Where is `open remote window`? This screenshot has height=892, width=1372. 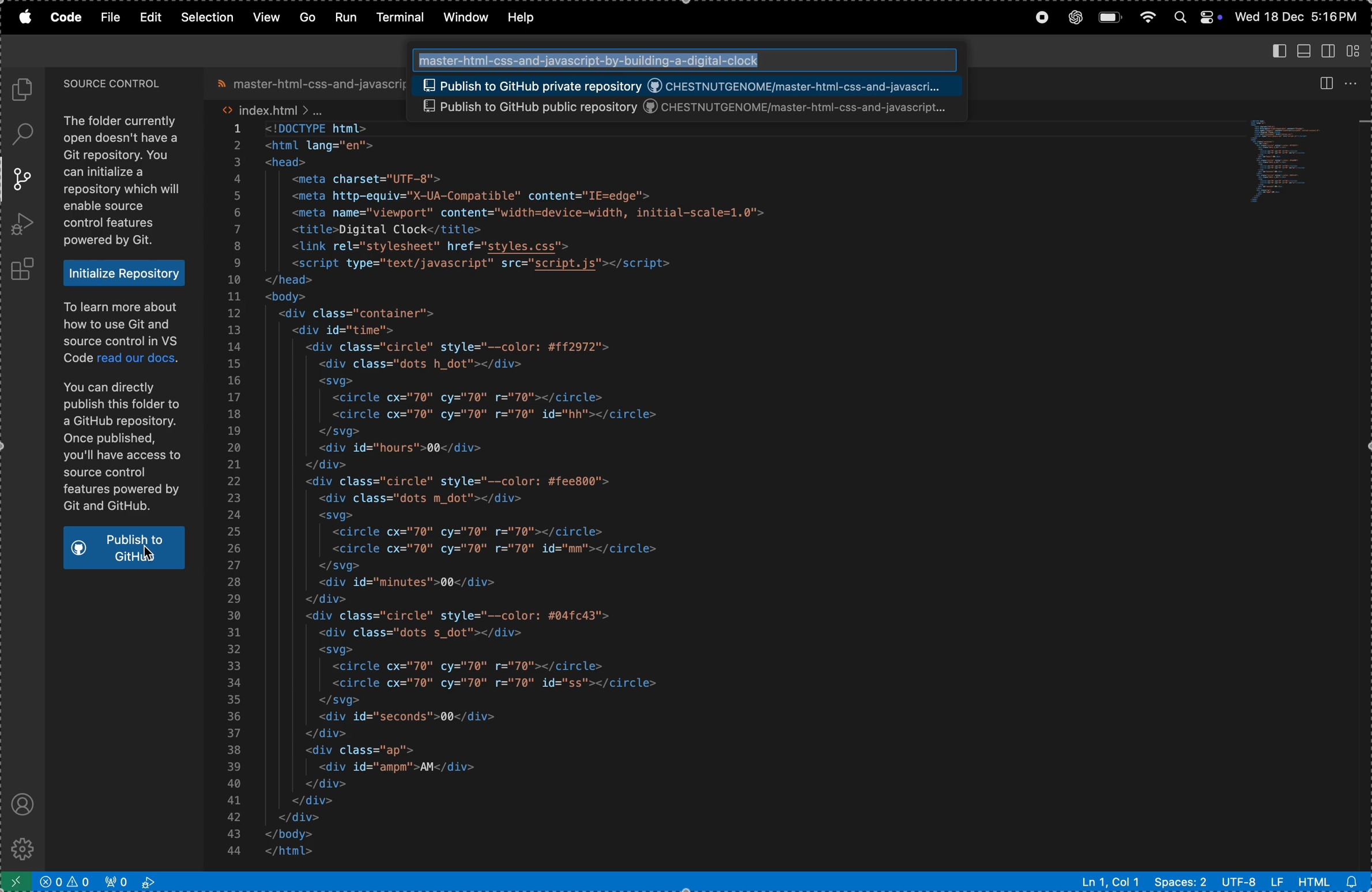
open remote window is located at coordinates (17, 879).